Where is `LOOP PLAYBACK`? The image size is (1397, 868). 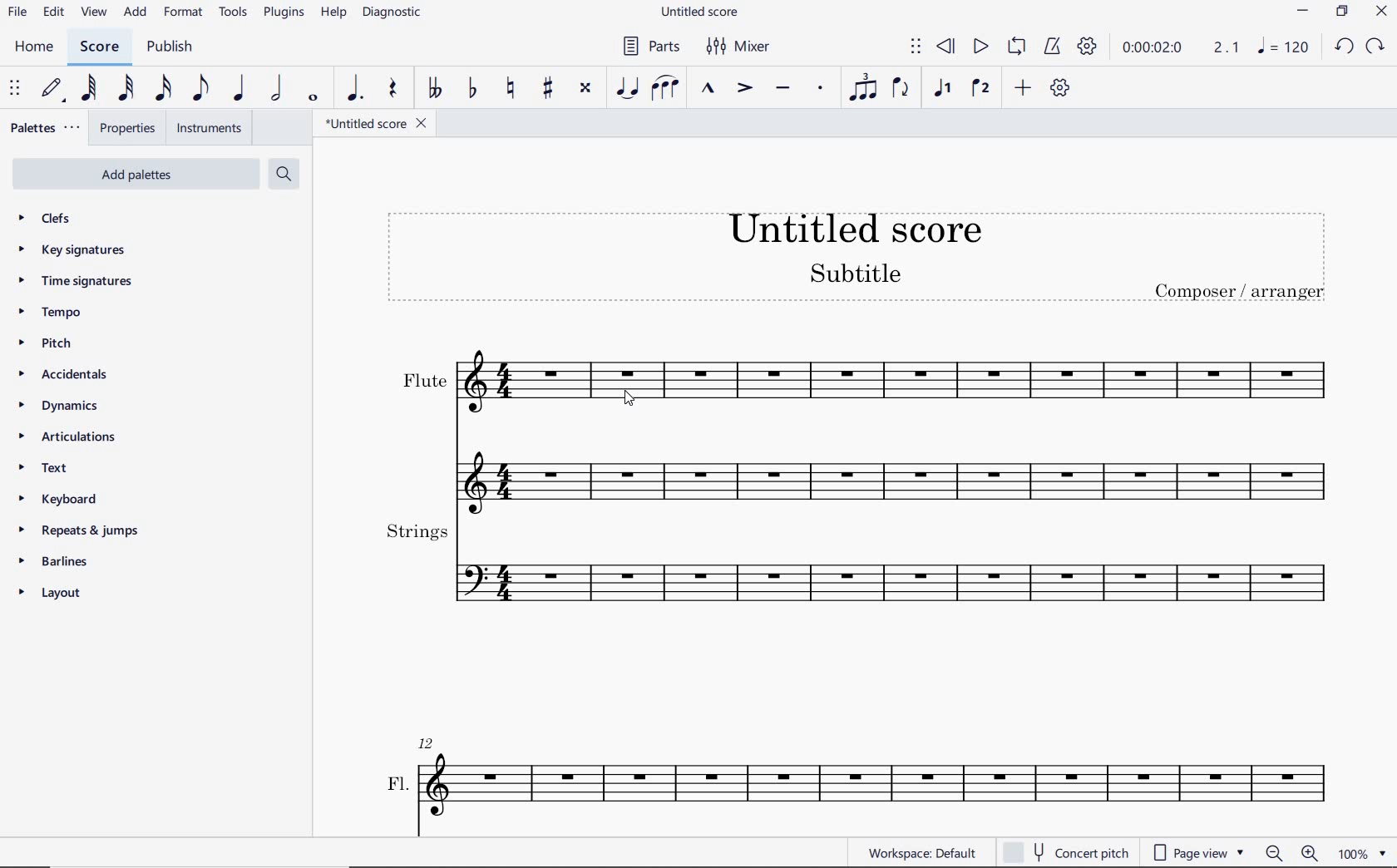
LOOP PLAYBACK is located at coordinates (1019, 48).